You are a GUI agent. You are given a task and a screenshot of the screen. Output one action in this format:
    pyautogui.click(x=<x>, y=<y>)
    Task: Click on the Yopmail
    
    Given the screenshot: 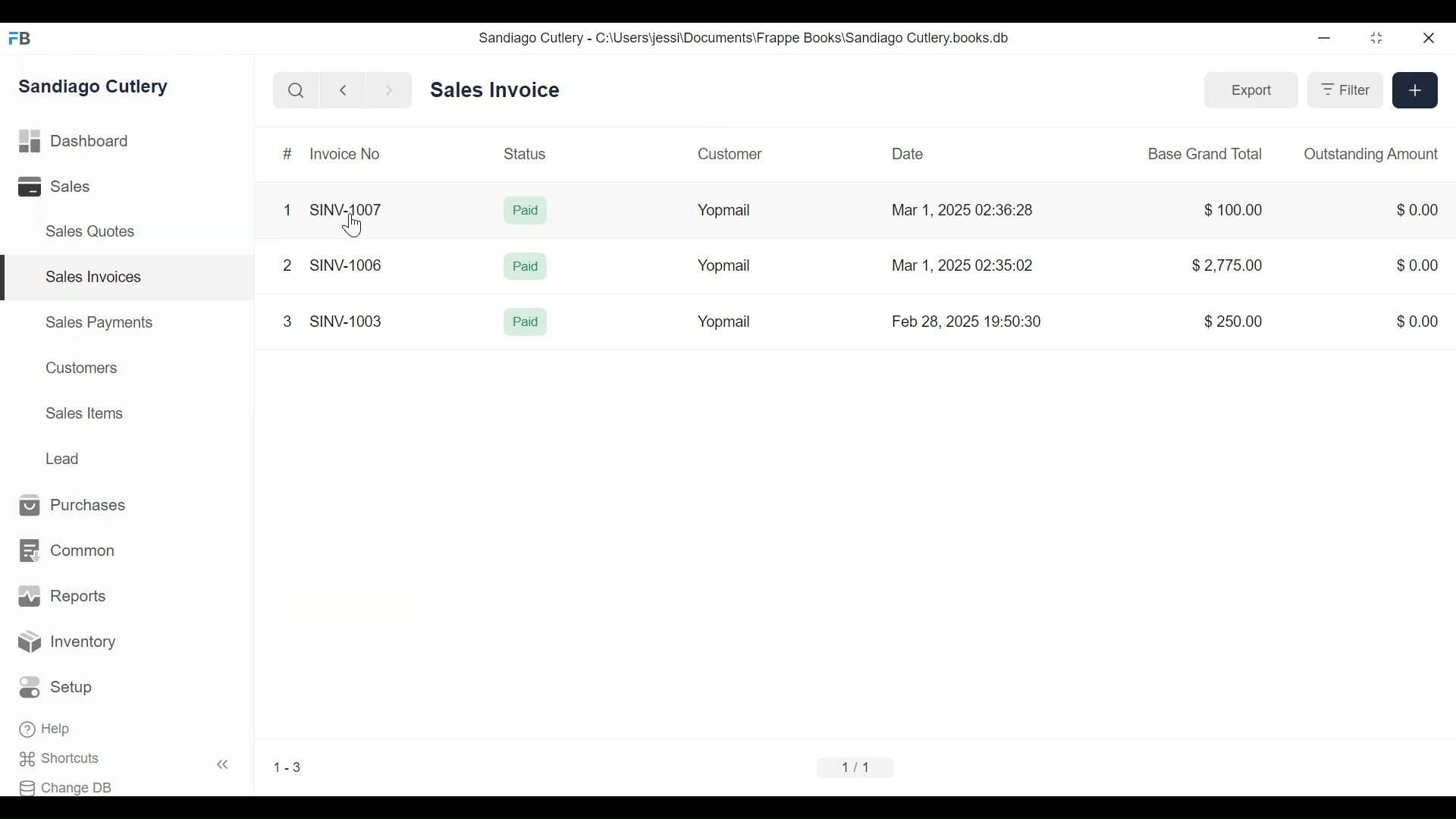 What is the action you would take?
    pyautogui.click(x=723, y=265)
    